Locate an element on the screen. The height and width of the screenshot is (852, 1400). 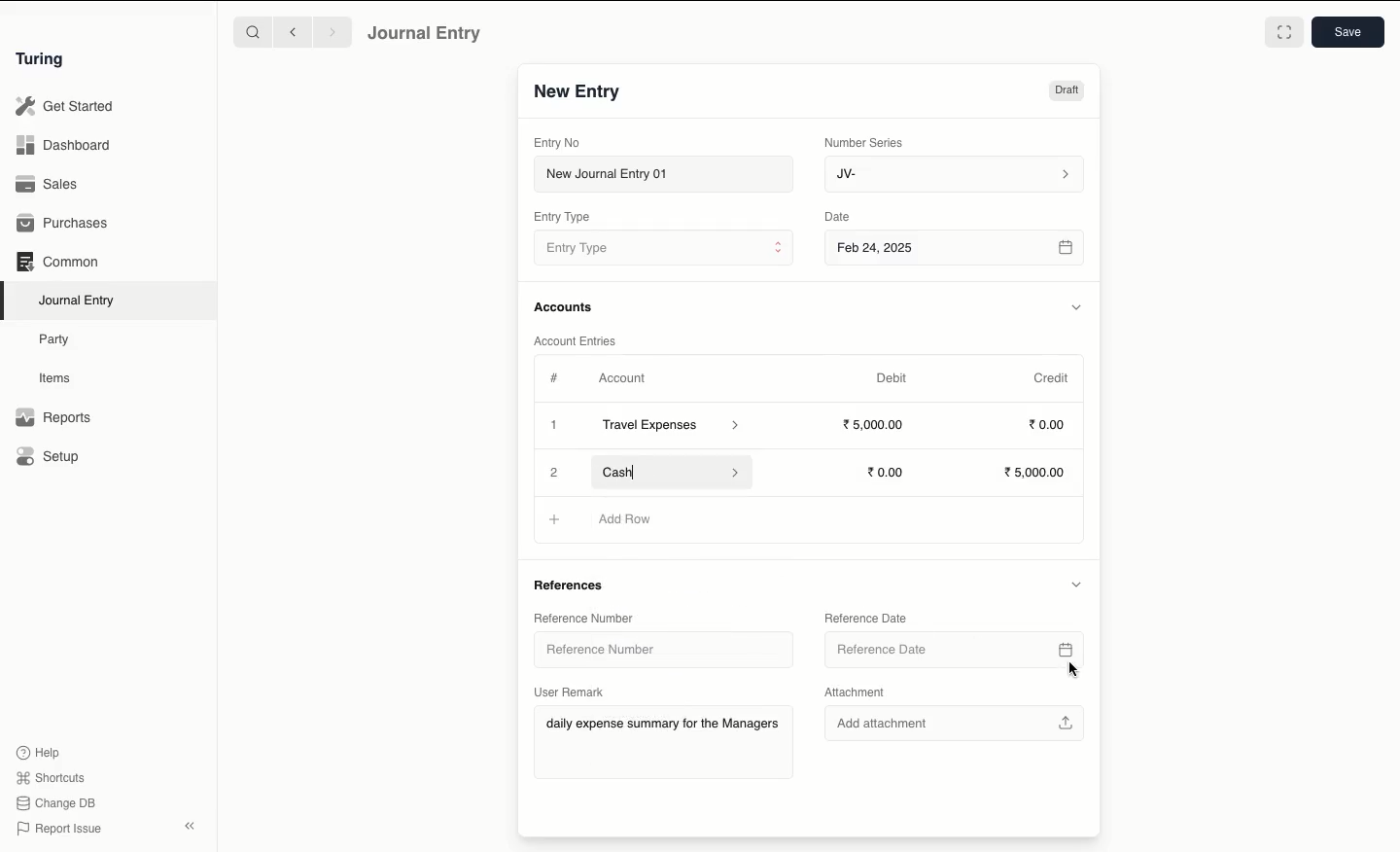
Cash is located at coordinates (666, 471).